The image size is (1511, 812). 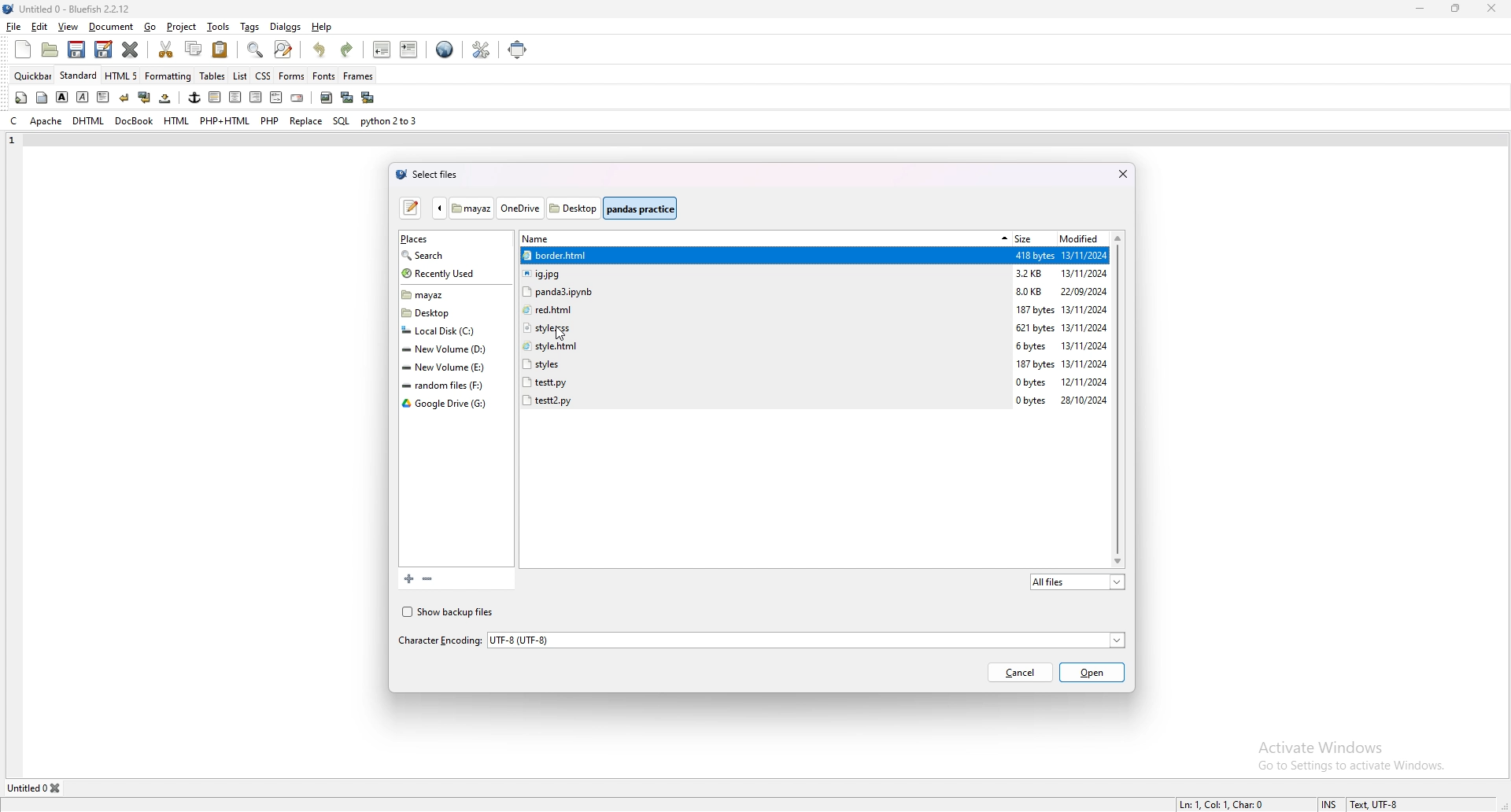 I want to click on 13/11/2024, so click(x=1085, y=310).